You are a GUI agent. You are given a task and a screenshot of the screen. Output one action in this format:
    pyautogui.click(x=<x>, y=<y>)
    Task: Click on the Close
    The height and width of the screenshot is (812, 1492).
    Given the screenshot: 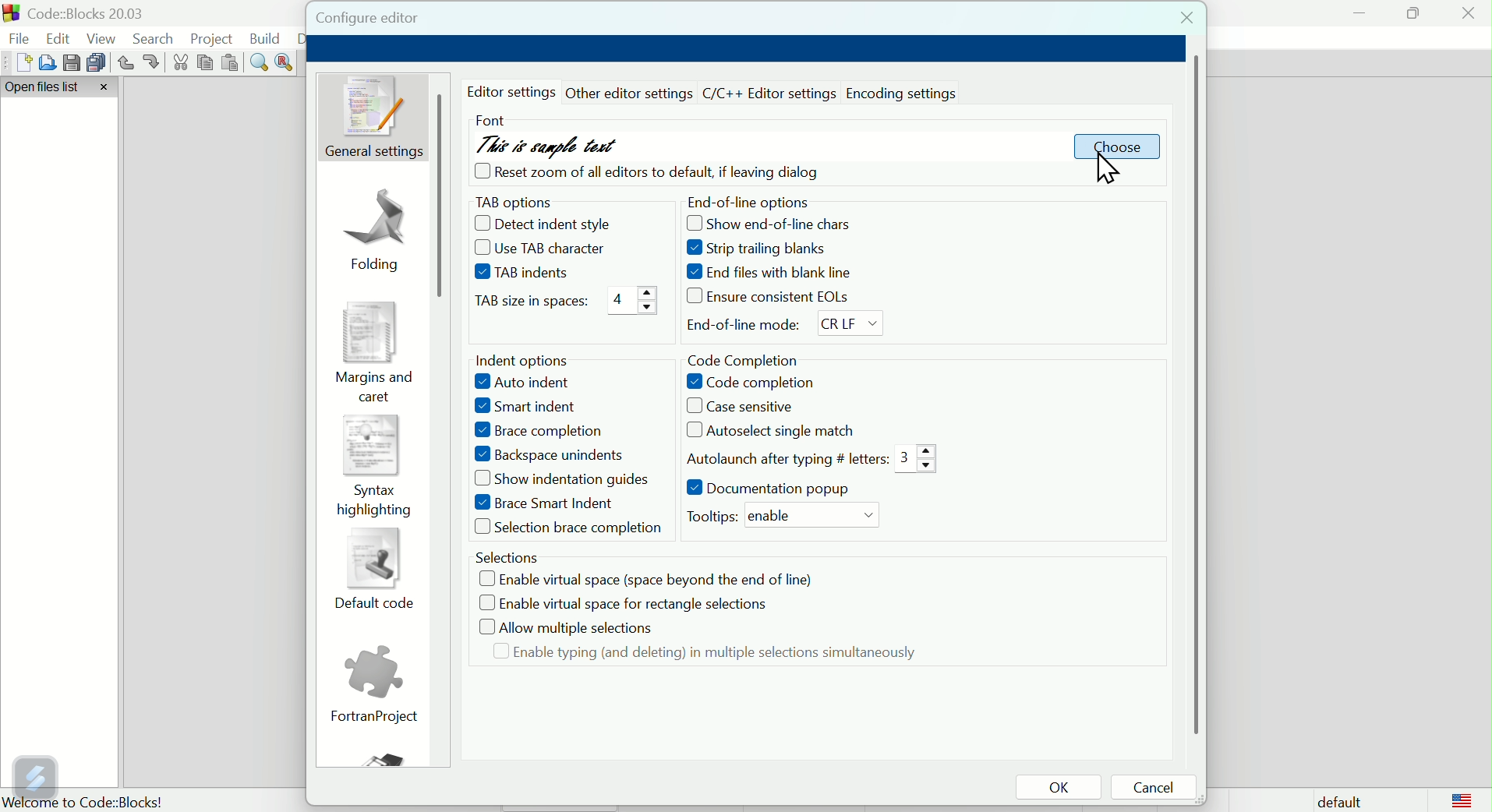 What is the action you would take?
    pyautogui.click(x=1469, y=17)
    